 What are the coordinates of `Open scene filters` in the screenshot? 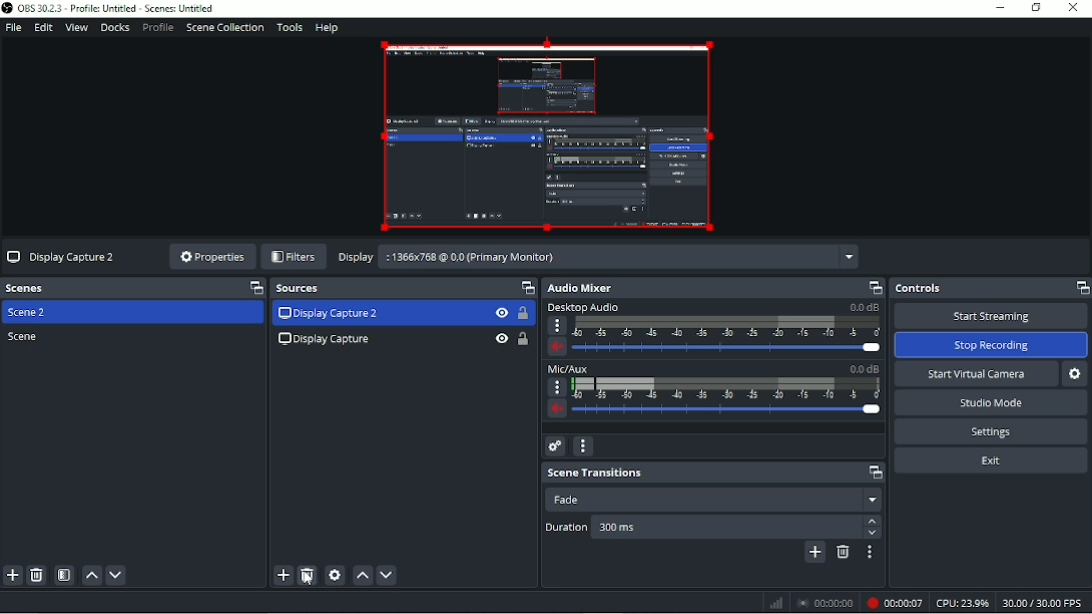 It's located at (64, 576).